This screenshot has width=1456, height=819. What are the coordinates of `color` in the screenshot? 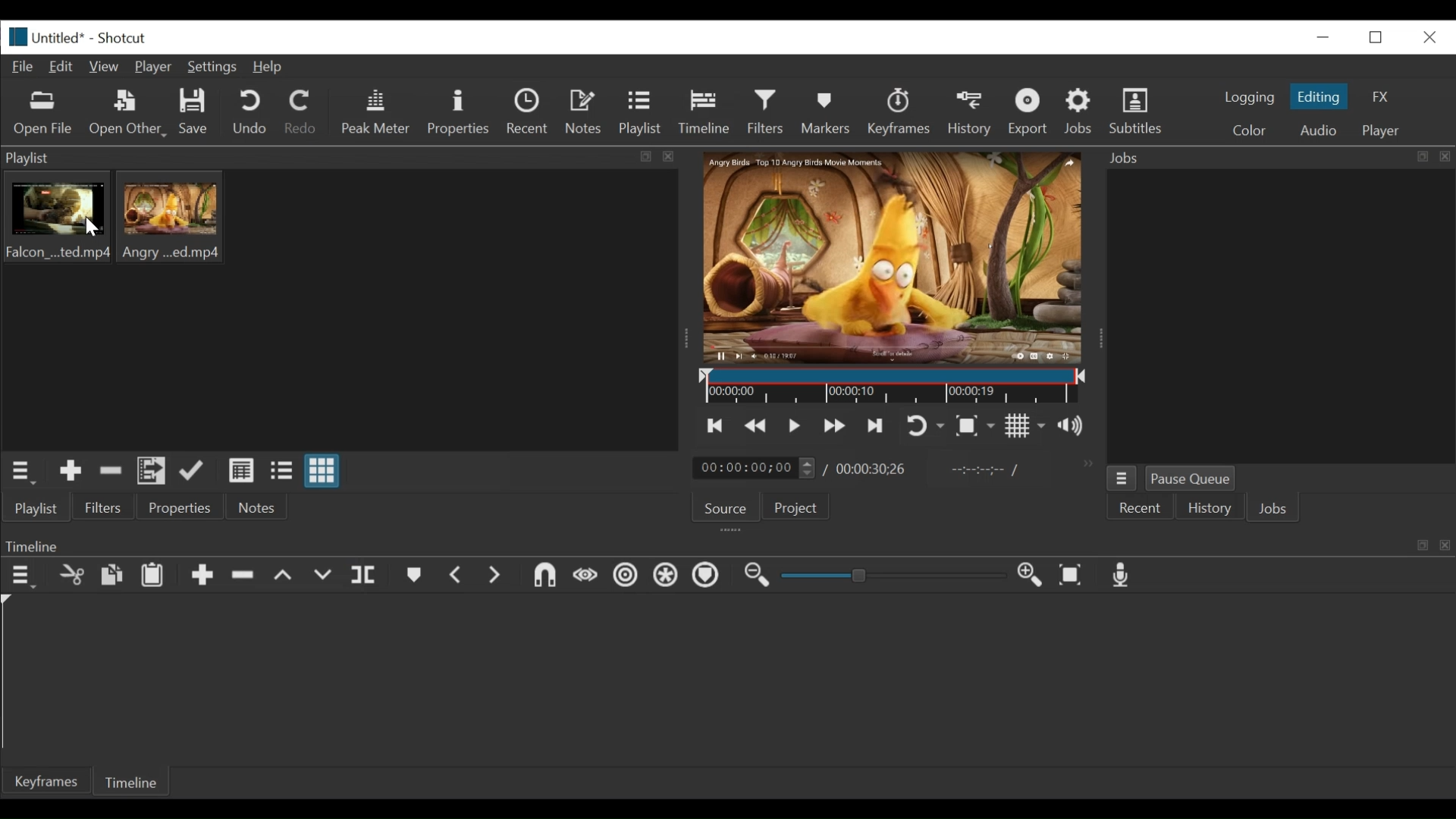 It's located at (1248, 132).